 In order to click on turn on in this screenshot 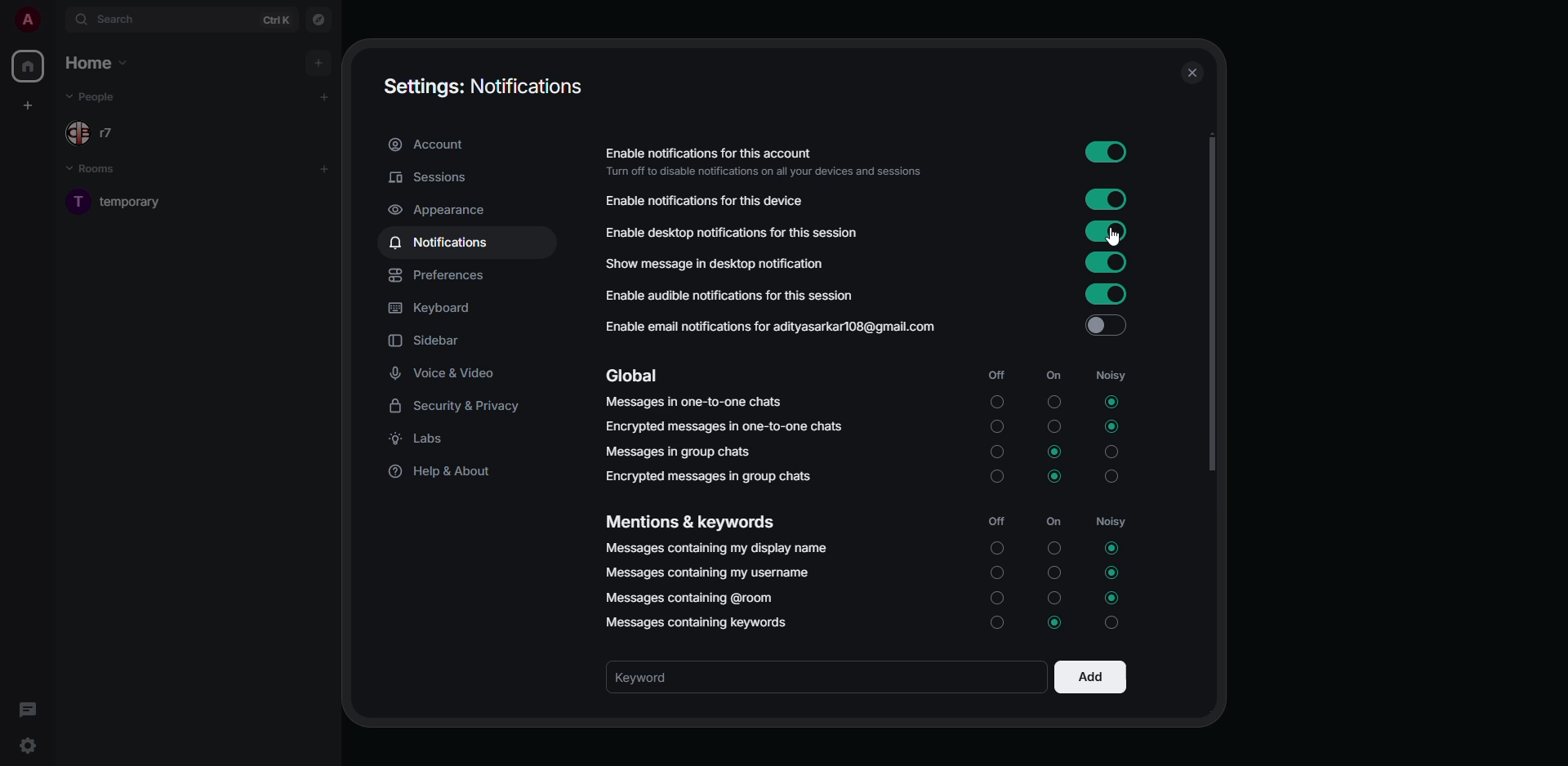, I will do `click(996, 478)`.